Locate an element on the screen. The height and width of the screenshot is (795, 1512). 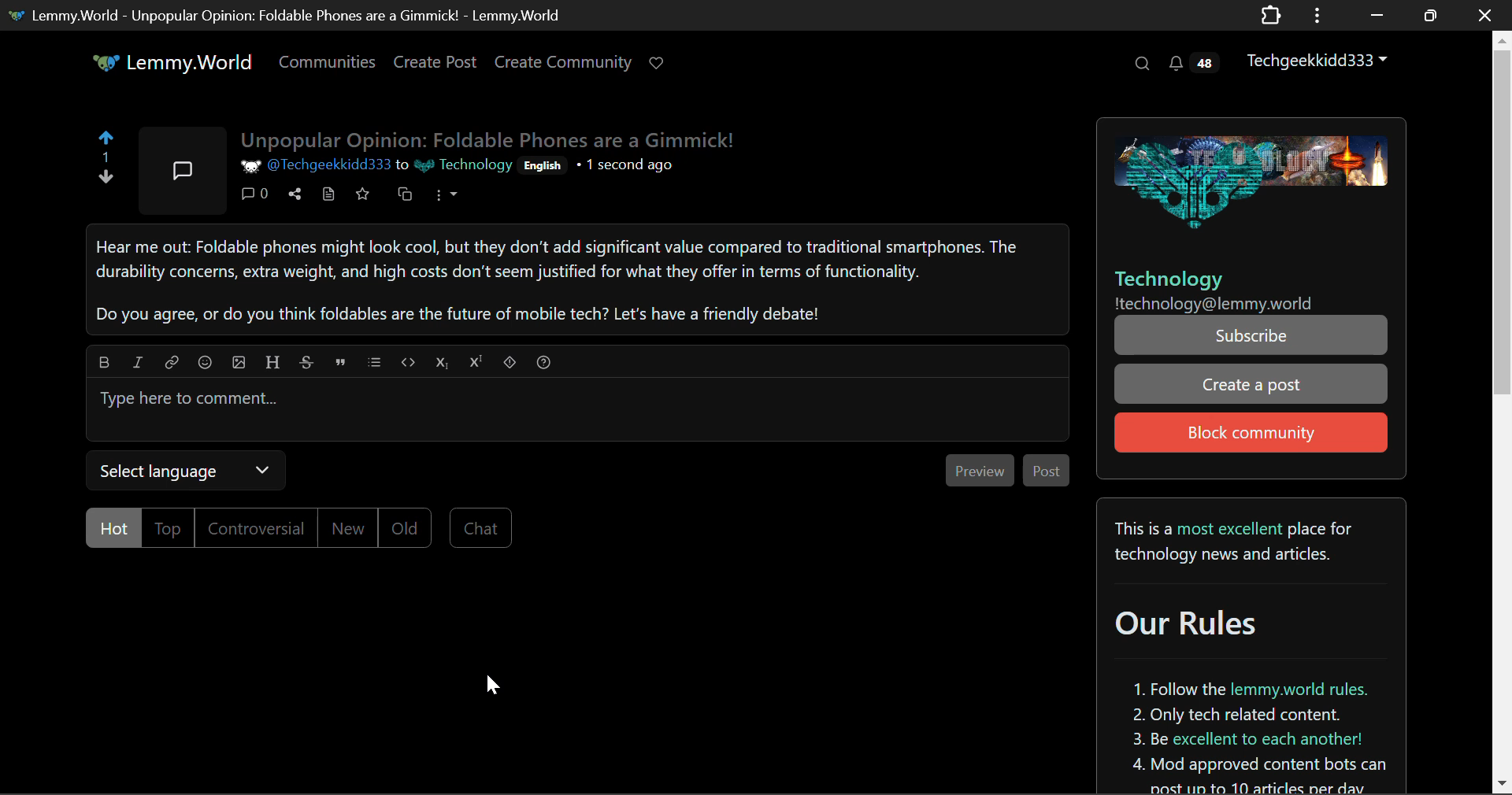
Community Media is located at coordinates (1249, 179).